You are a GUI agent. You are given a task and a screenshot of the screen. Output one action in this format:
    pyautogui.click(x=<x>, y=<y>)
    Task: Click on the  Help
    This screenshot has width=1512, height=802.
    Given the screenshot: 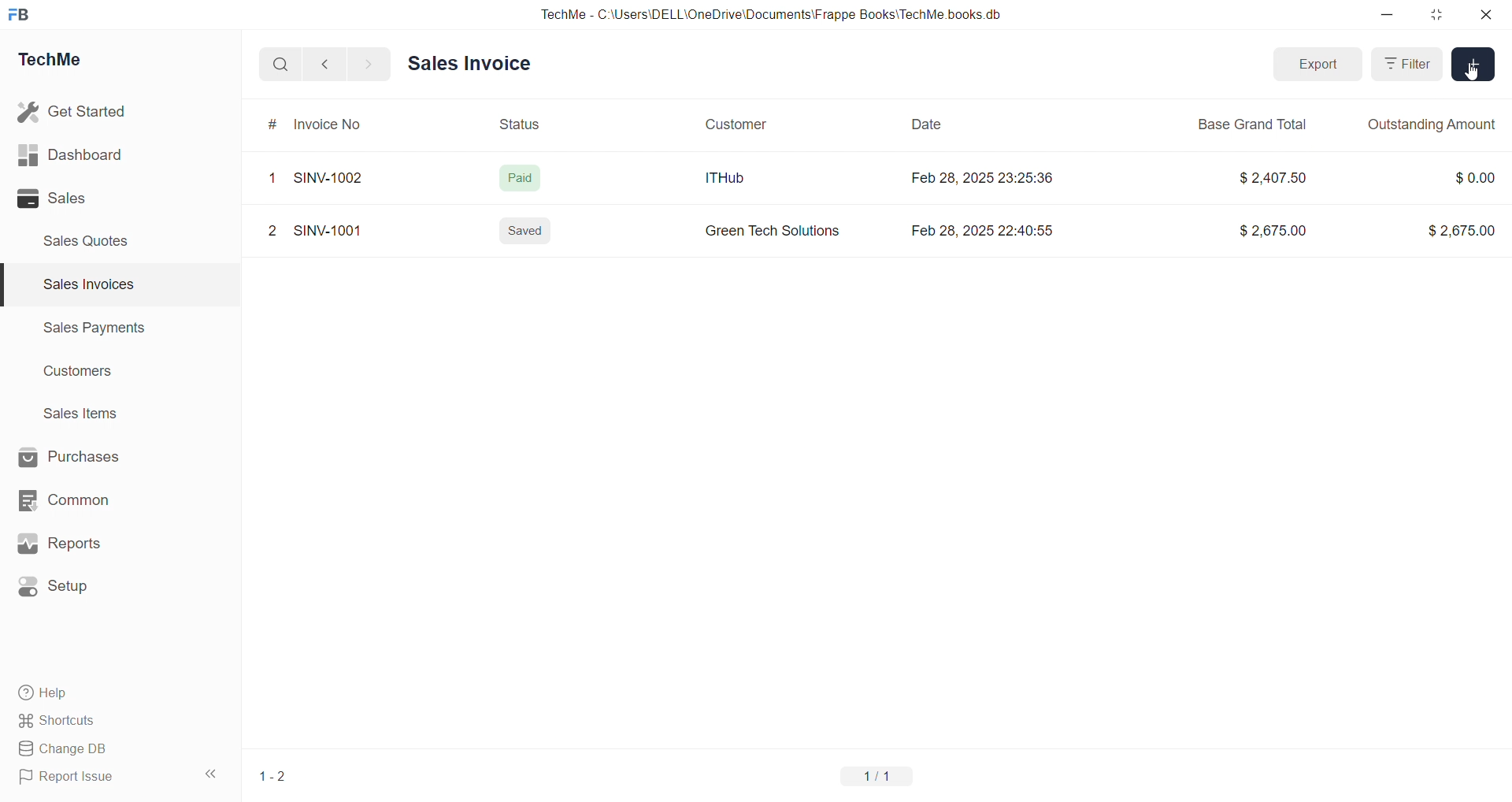 What is the action you would take?
    pyautogui.click(x=51, y=695)
    